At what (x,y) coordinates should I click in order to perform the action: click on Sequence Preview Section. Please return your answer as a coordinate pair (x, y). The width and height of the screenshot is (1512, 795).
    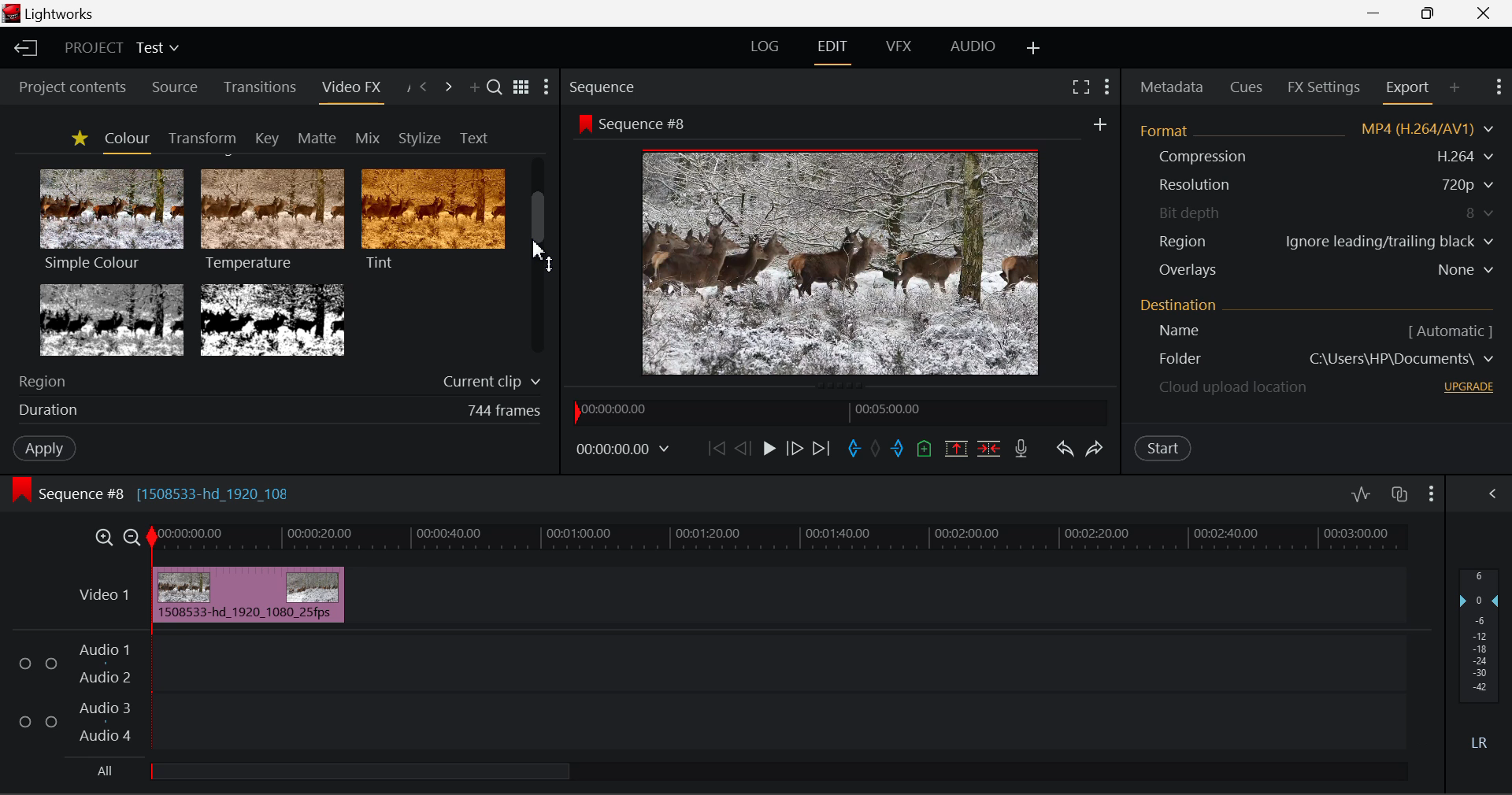
    Looking at the image, I should click on (605, 89).